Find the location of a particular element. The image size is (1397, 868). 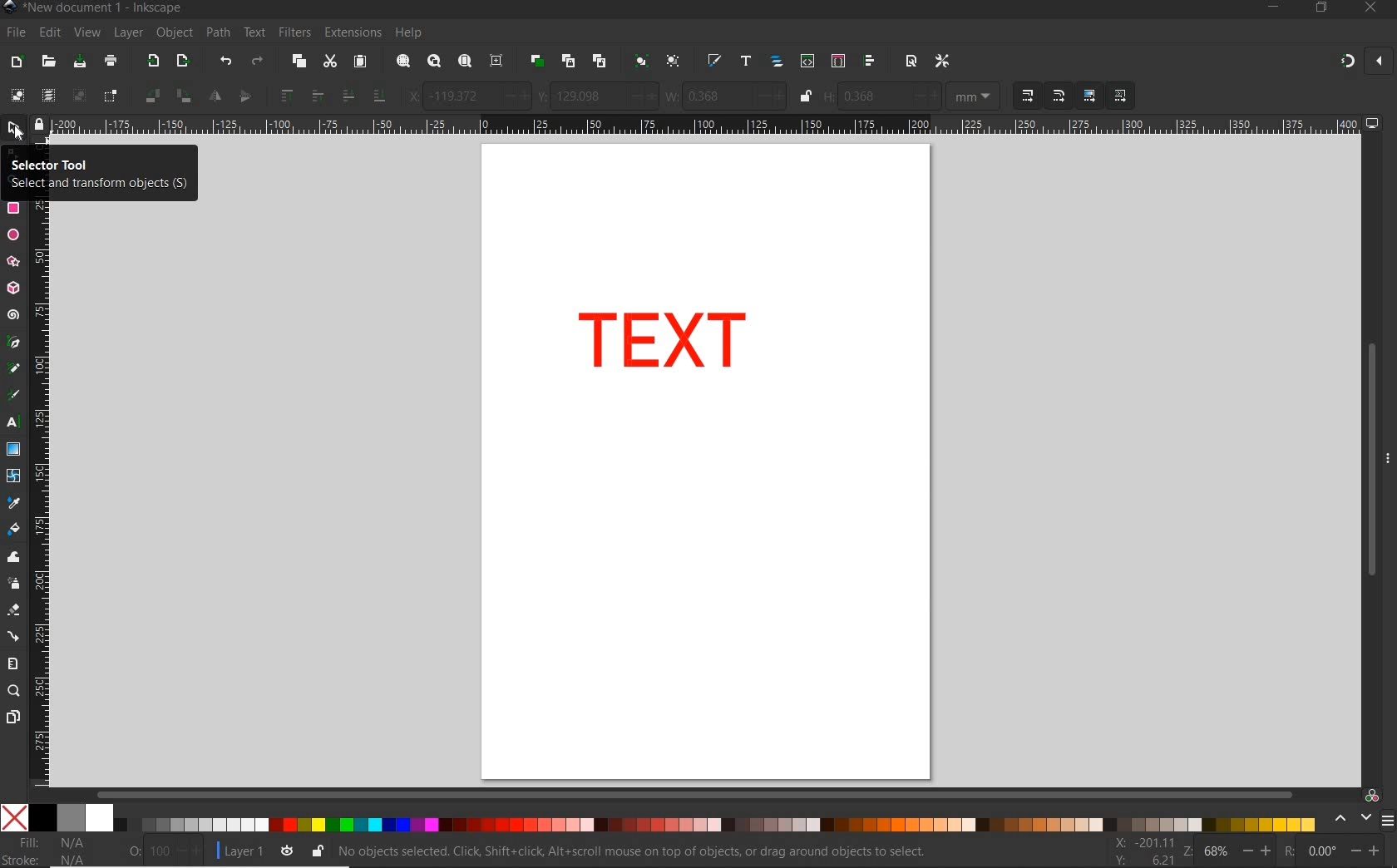

OPEN XML EDITOR is located at coordinates (807, 62).